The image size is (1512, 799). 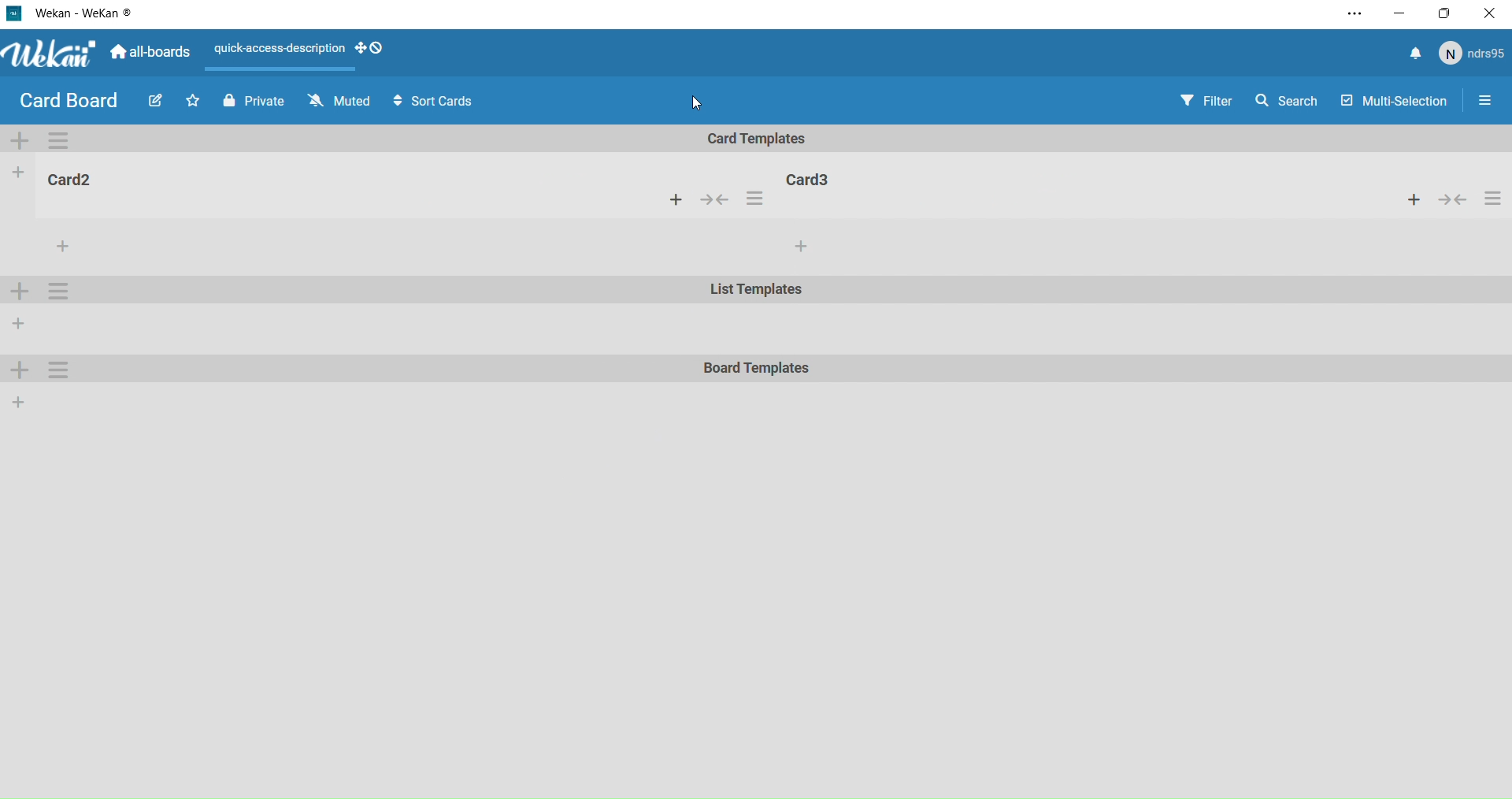 What do you see at coordinates (154, 99) in the screenshot?
I see `Edit` at bounding box center [154, 99].